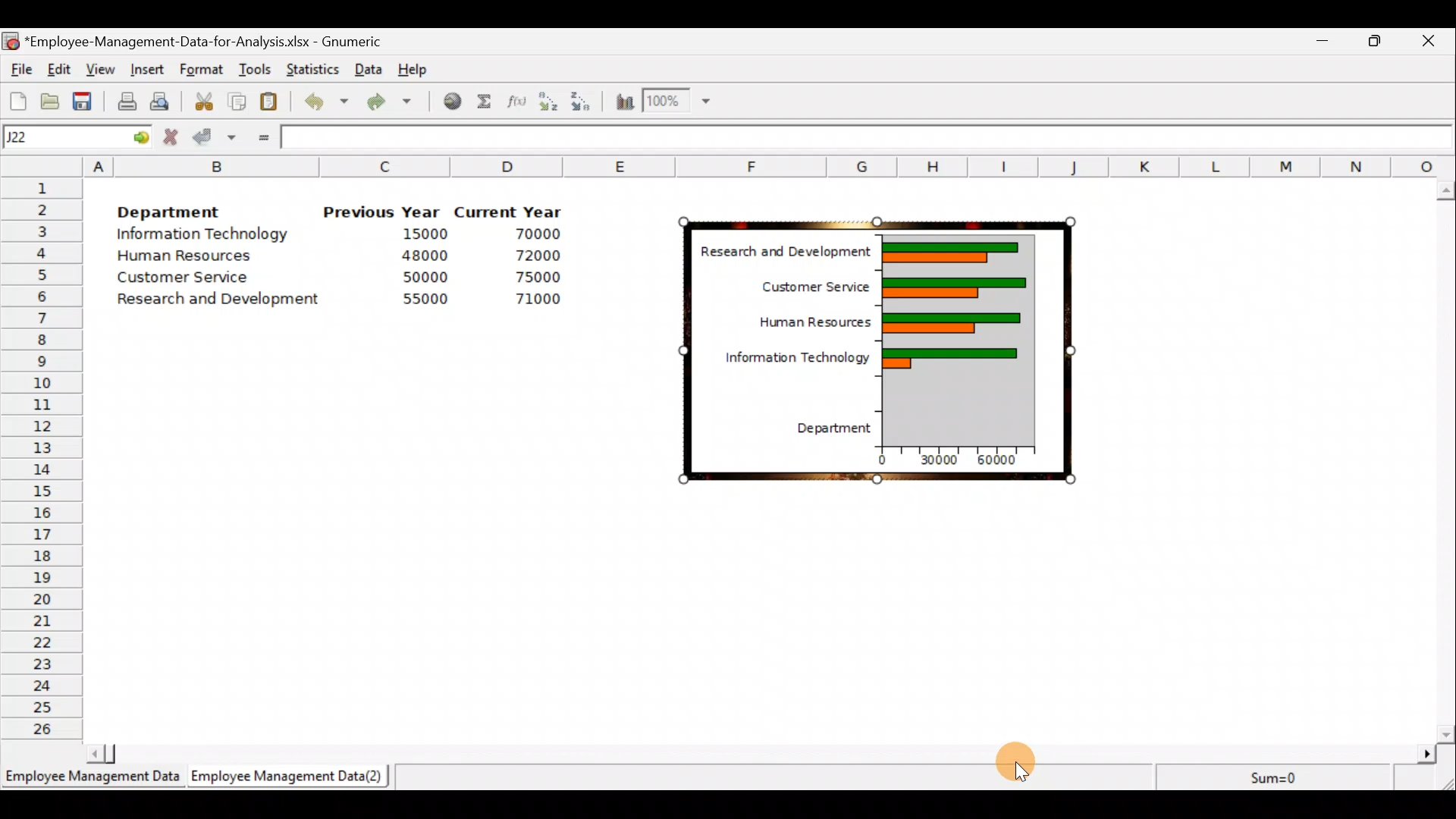 Image resolution: width=1456 pixels, height=819 pixels. What do you see at coordinates (1001, 460) in the screenshot?
I see `60000` at bounding box center [1001, 460].